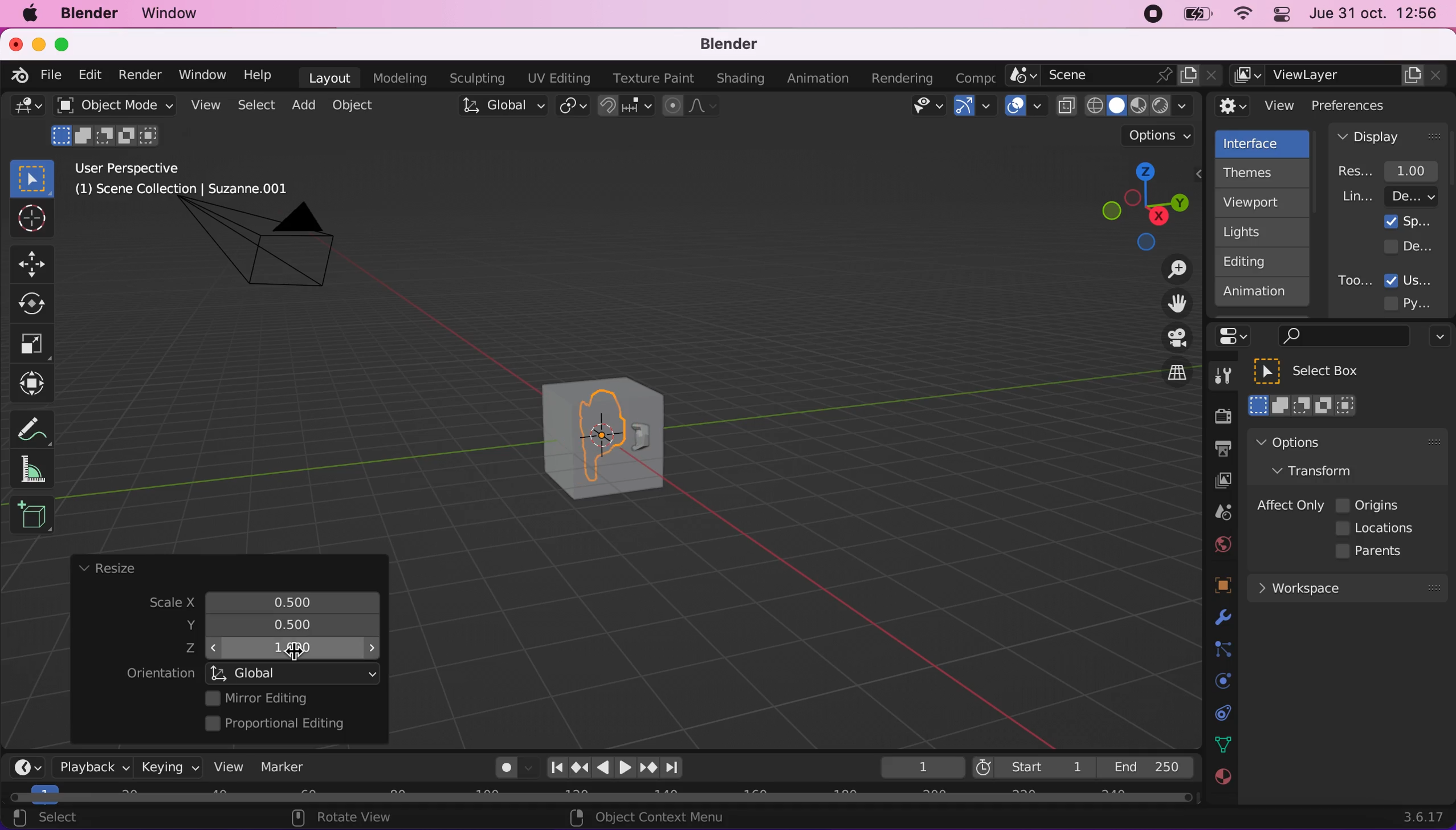 This screenshot has height=830, width=1456. What do you see at coordinates (1220, 543) in the screenshot?
I see `world` at bounding box center [1220, 543].